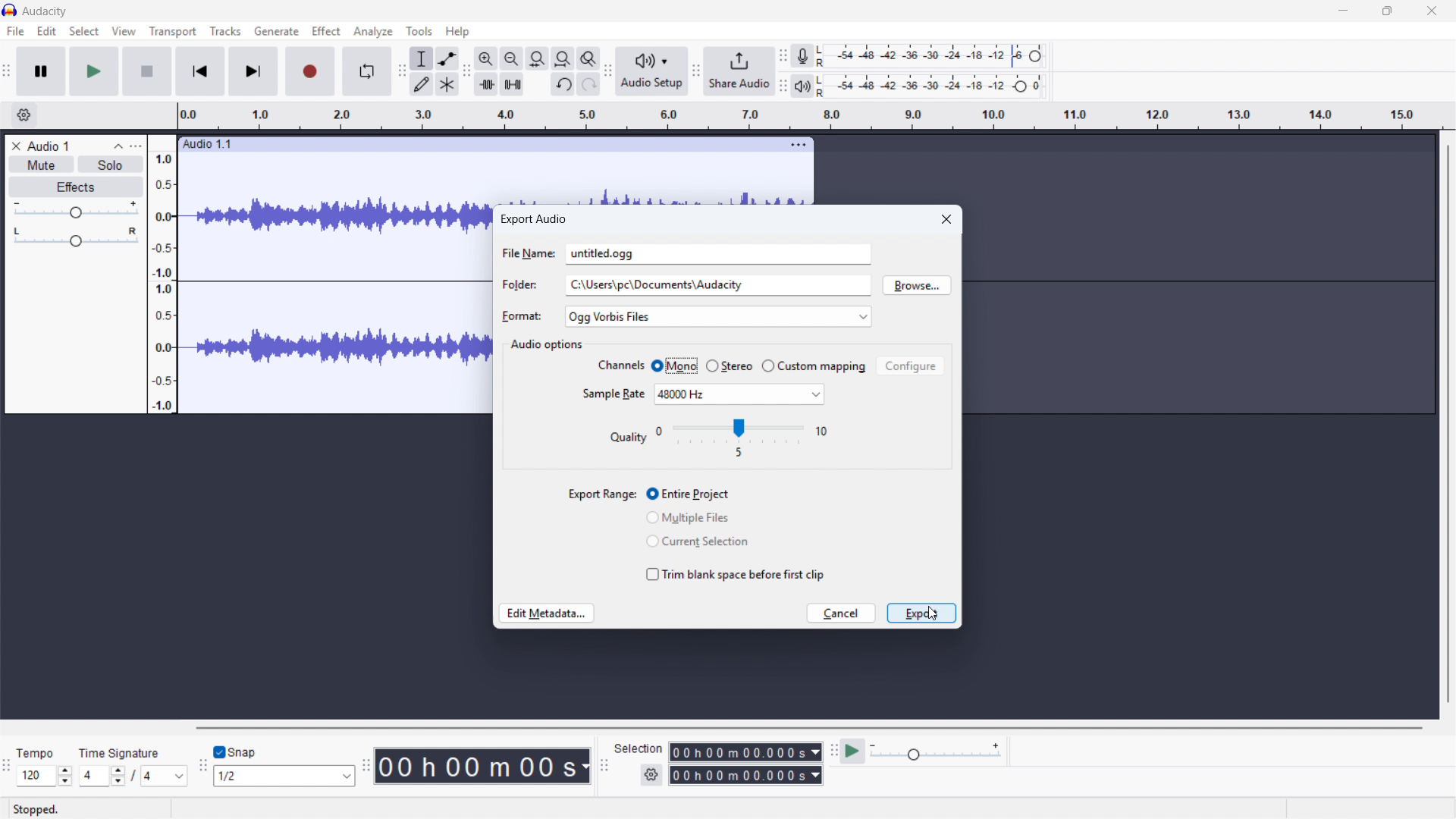 The width and height of the screenshot is (1456, 819). What do you see at coordinates (167, 777) in the screenshot?
I see `Set time signature ` at bounding box center [167, 777].